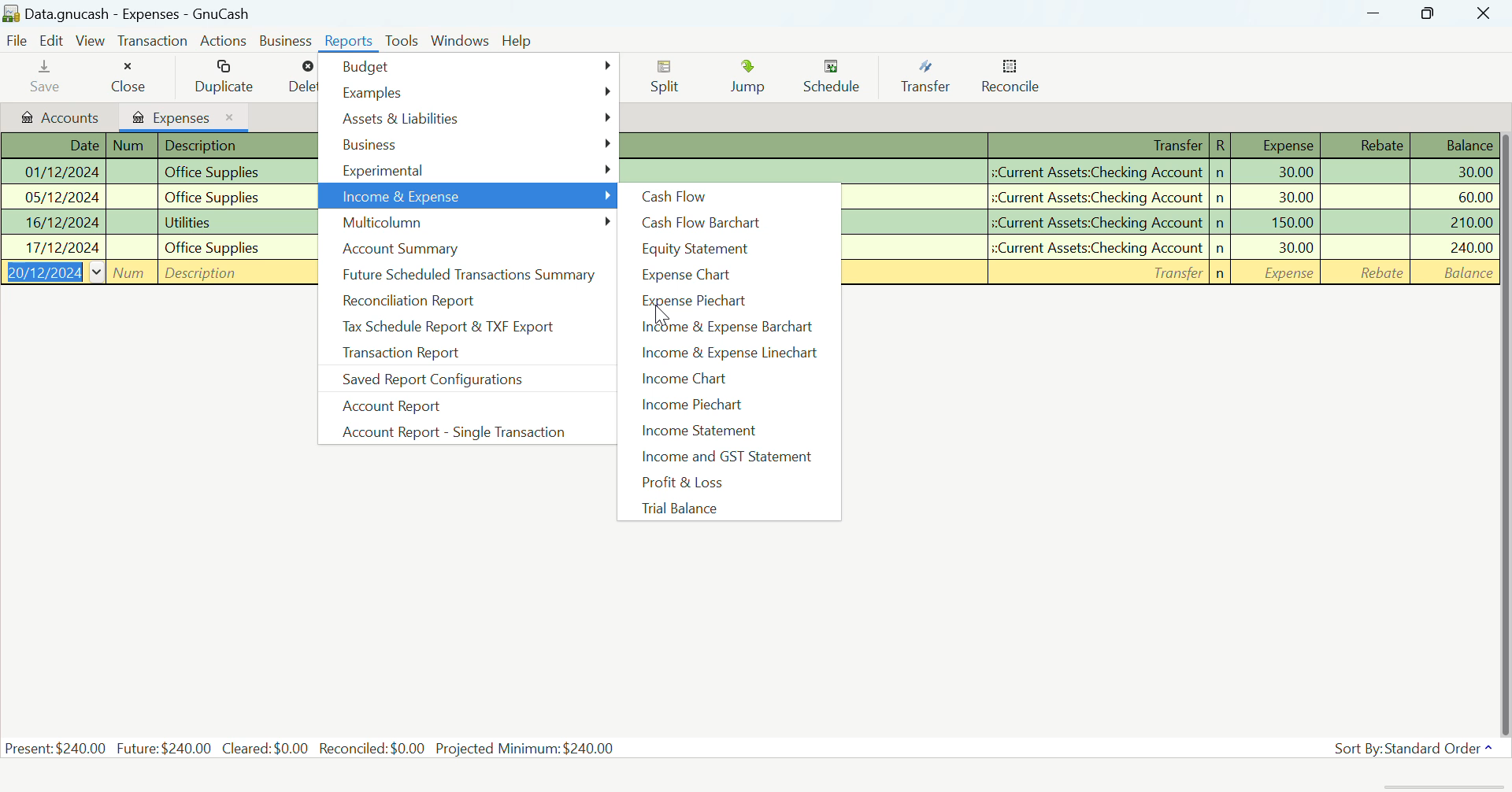 This screenshot has height=792, width=1512. Describe the element at coordinates (183, 117) in the screenshot. I see `Expenses Tab` at that location.